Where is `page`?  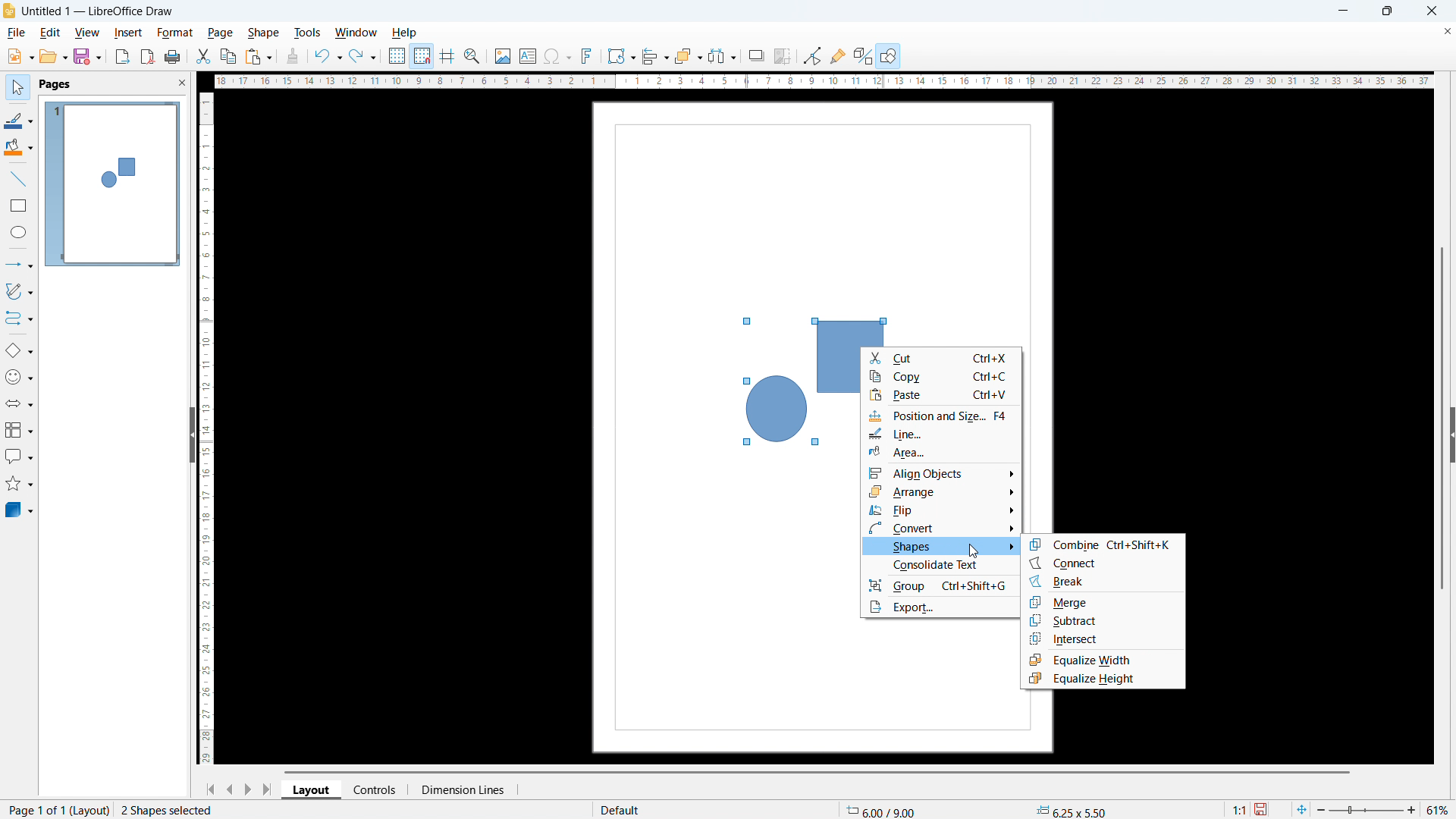 page is located at coordinates (221, 32).